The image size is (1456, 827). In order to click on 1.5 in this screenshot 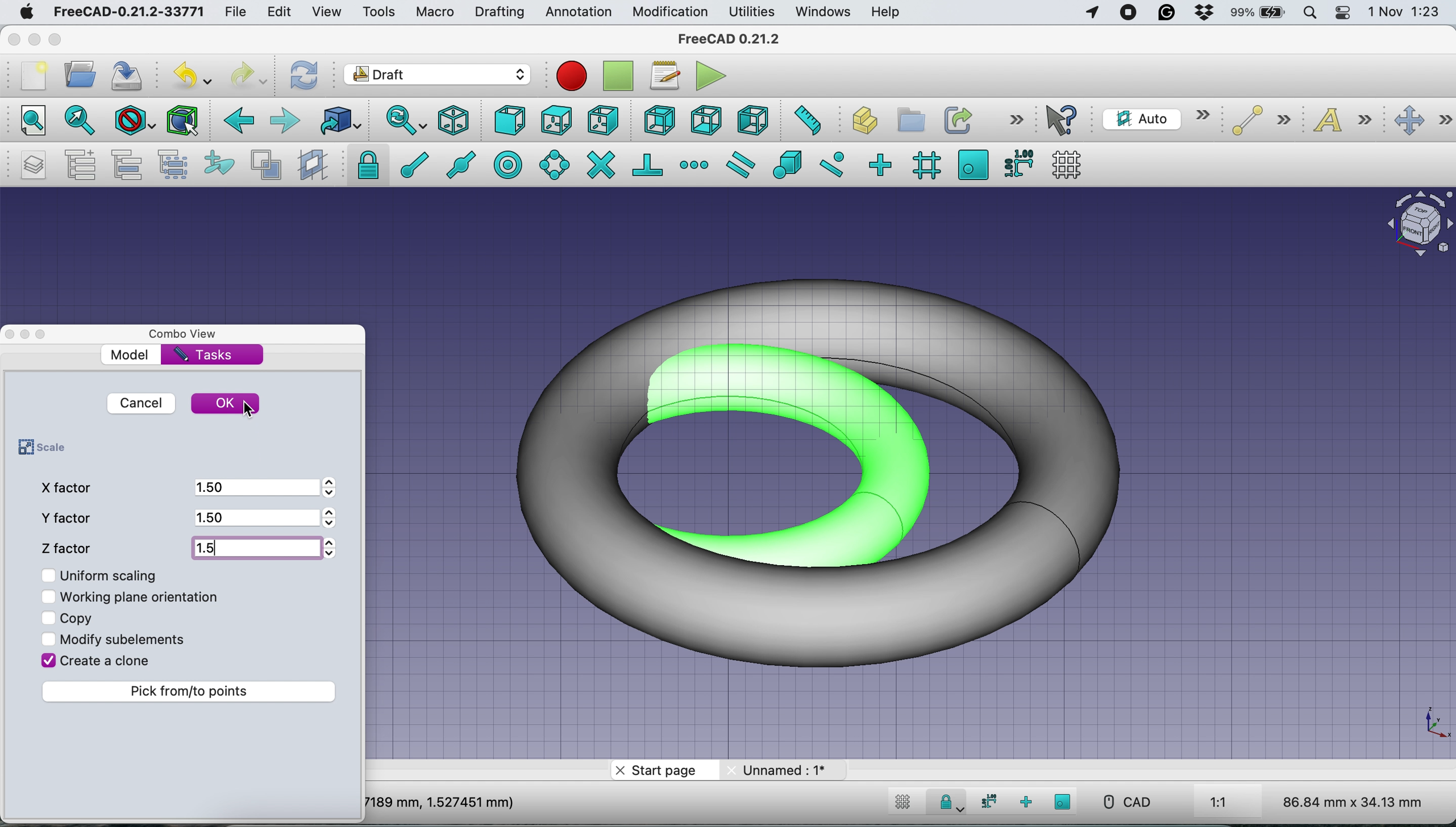, I will do `click(256, 545)`.